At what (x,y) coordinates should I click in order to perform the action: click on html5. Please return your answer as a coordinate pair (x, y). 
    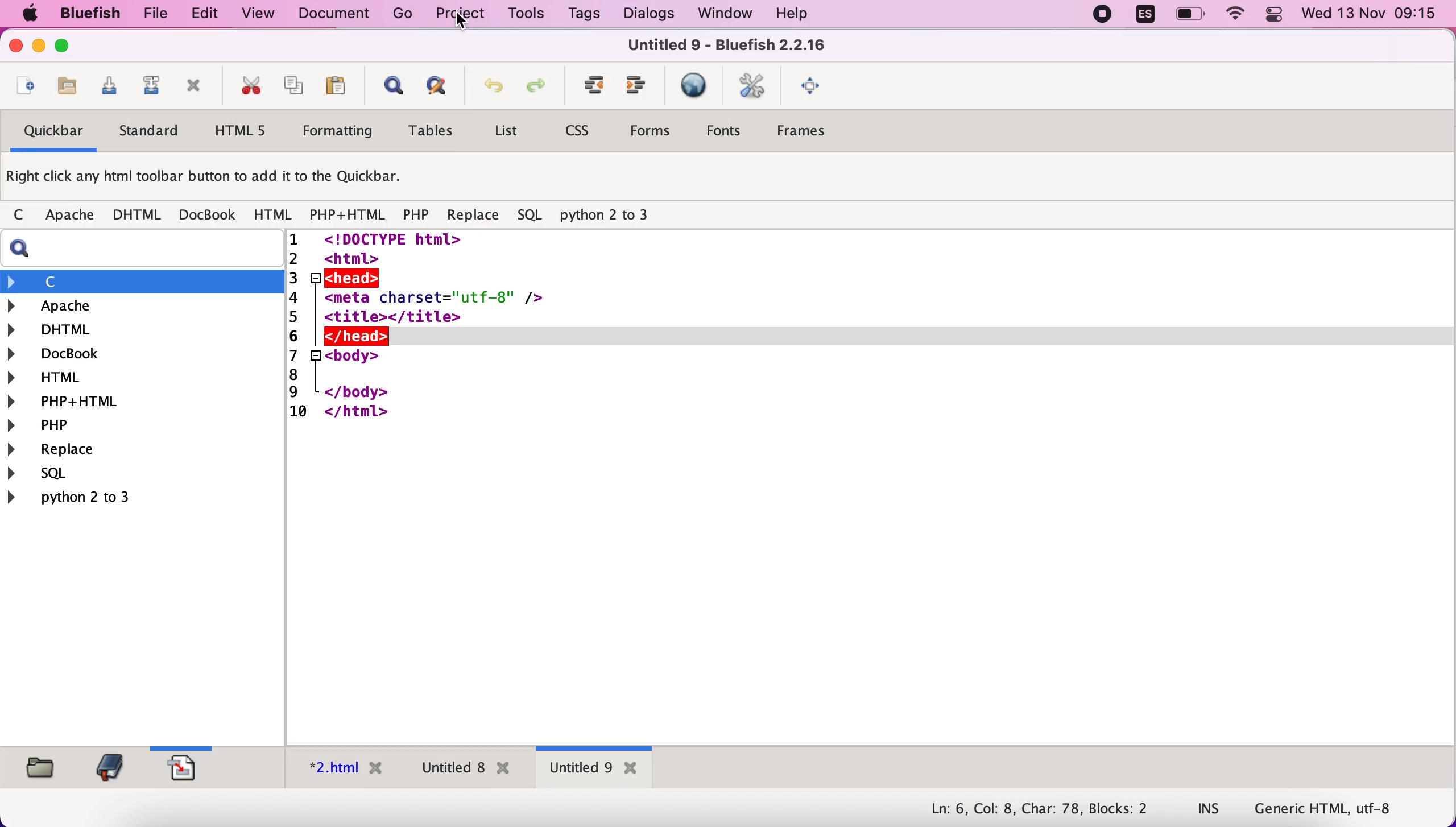
    Looking at the image, I should click on (243, 132).